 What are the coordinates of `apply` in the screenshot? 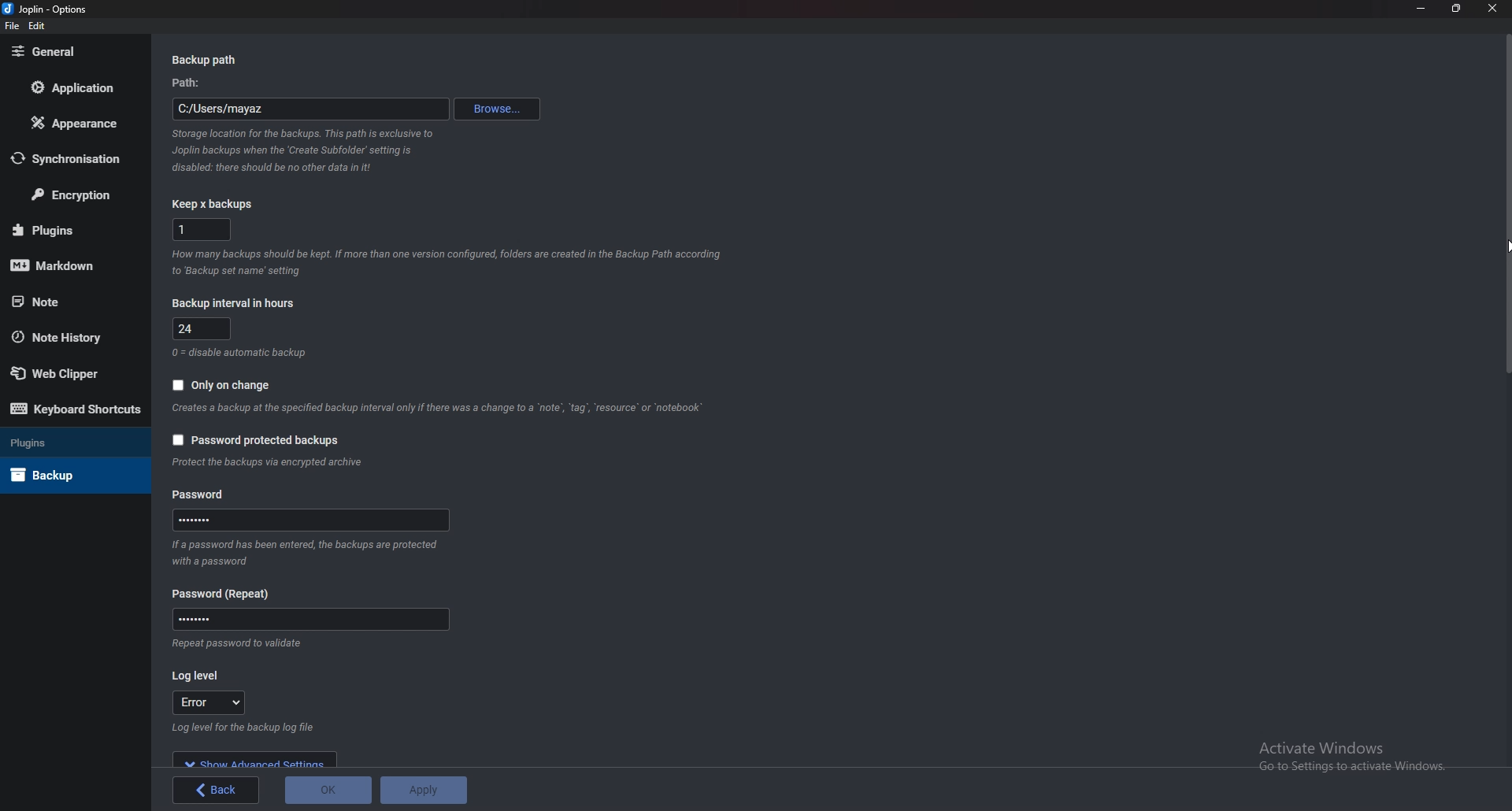 It's located at (426, 791).